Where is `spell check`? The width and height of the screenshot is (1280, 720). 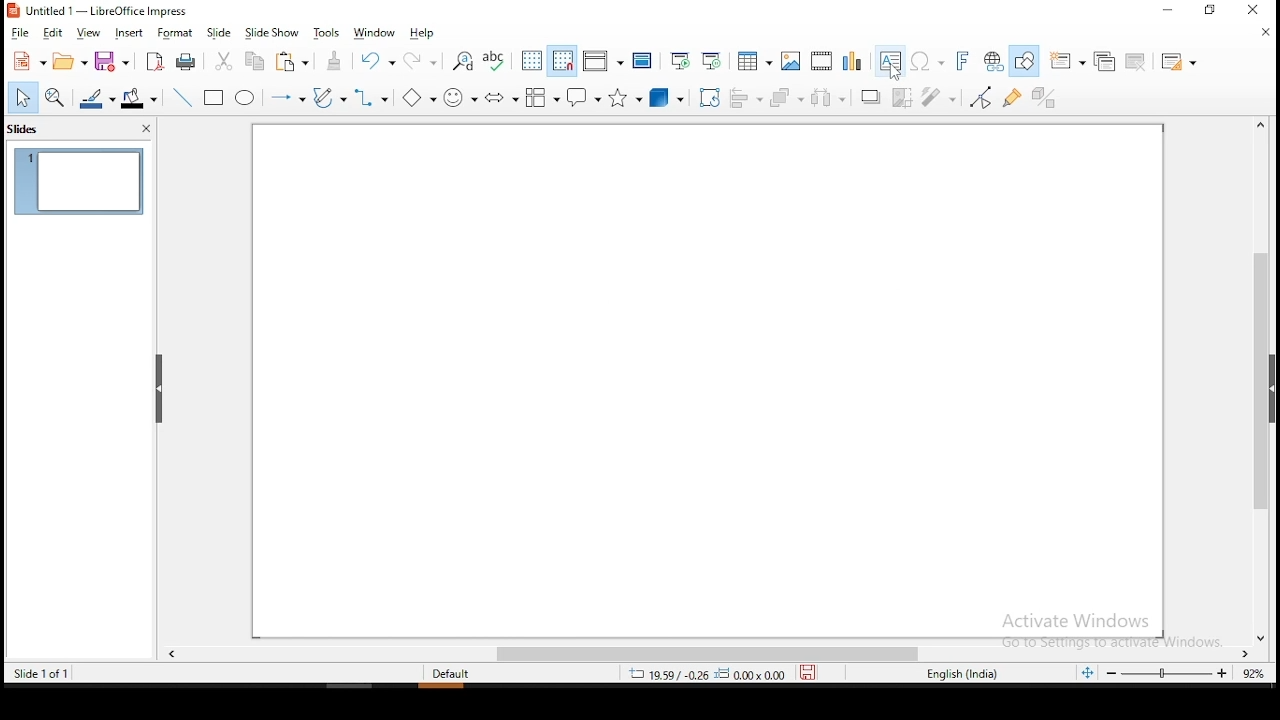 spell check is located at coordinates (496, 61).